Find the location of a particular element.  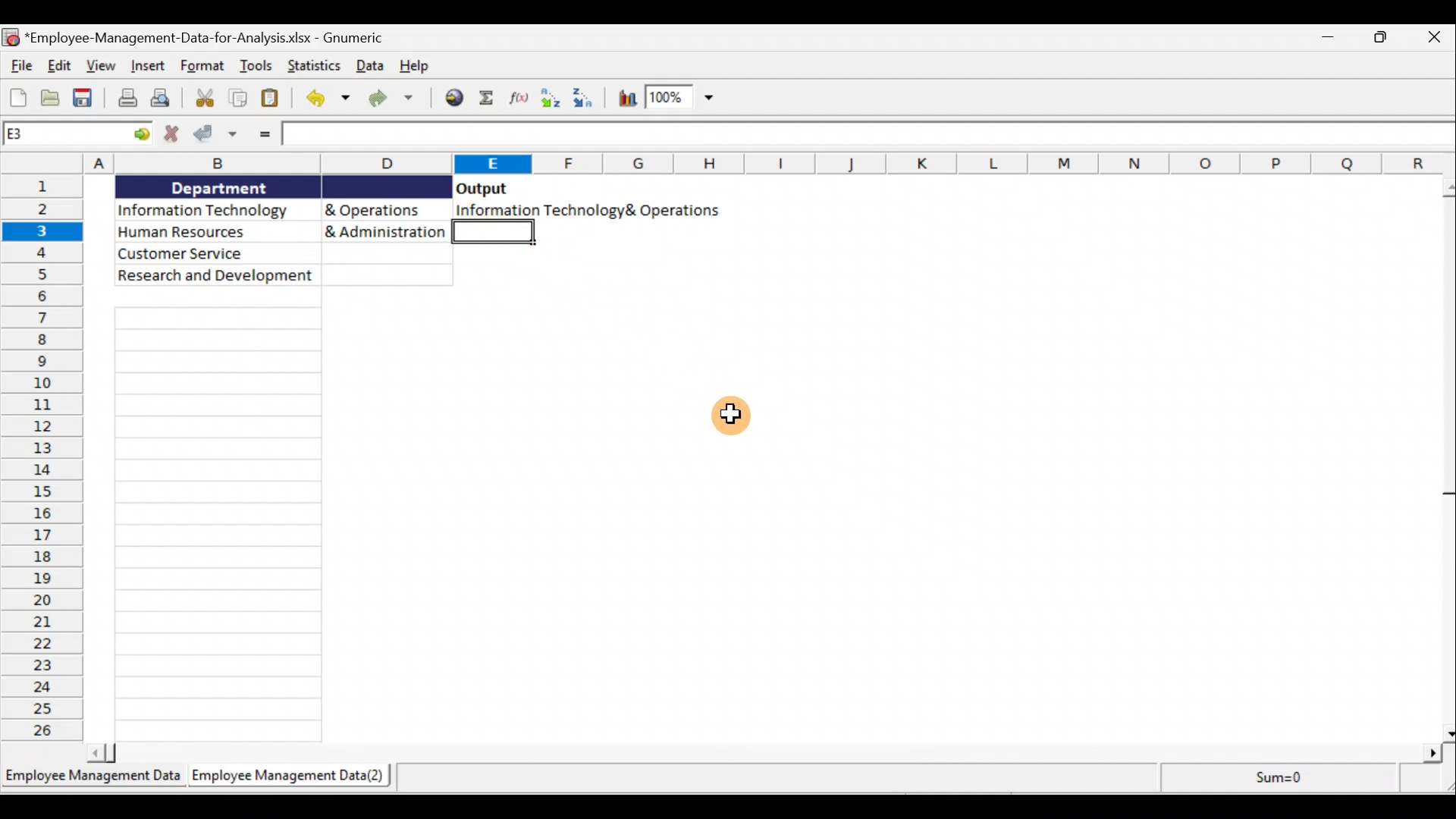

selected cell is located at coordinates (498, 235).